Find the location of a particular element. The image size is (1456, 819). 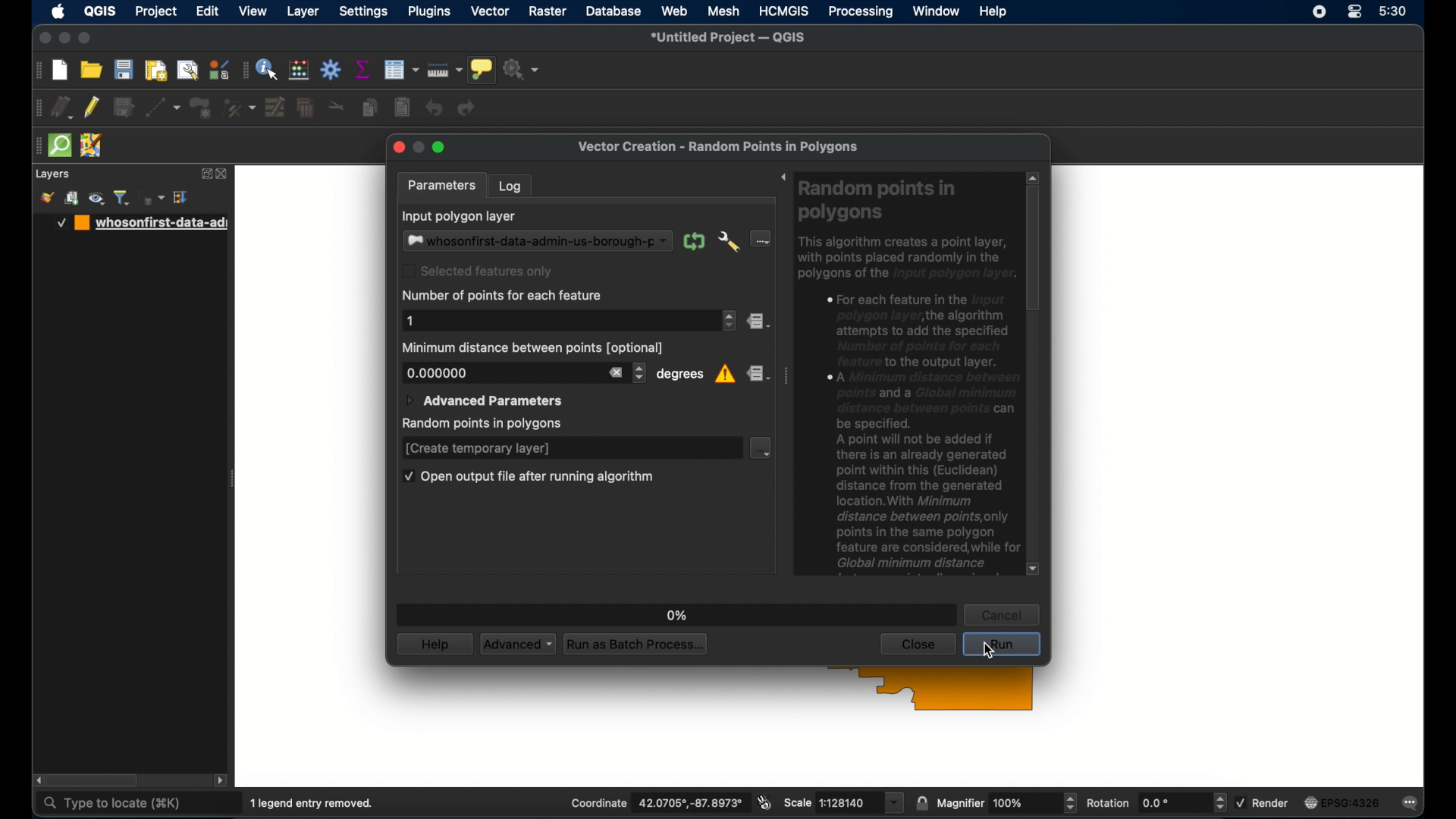

filter legend is located at coordinates (124, 197).